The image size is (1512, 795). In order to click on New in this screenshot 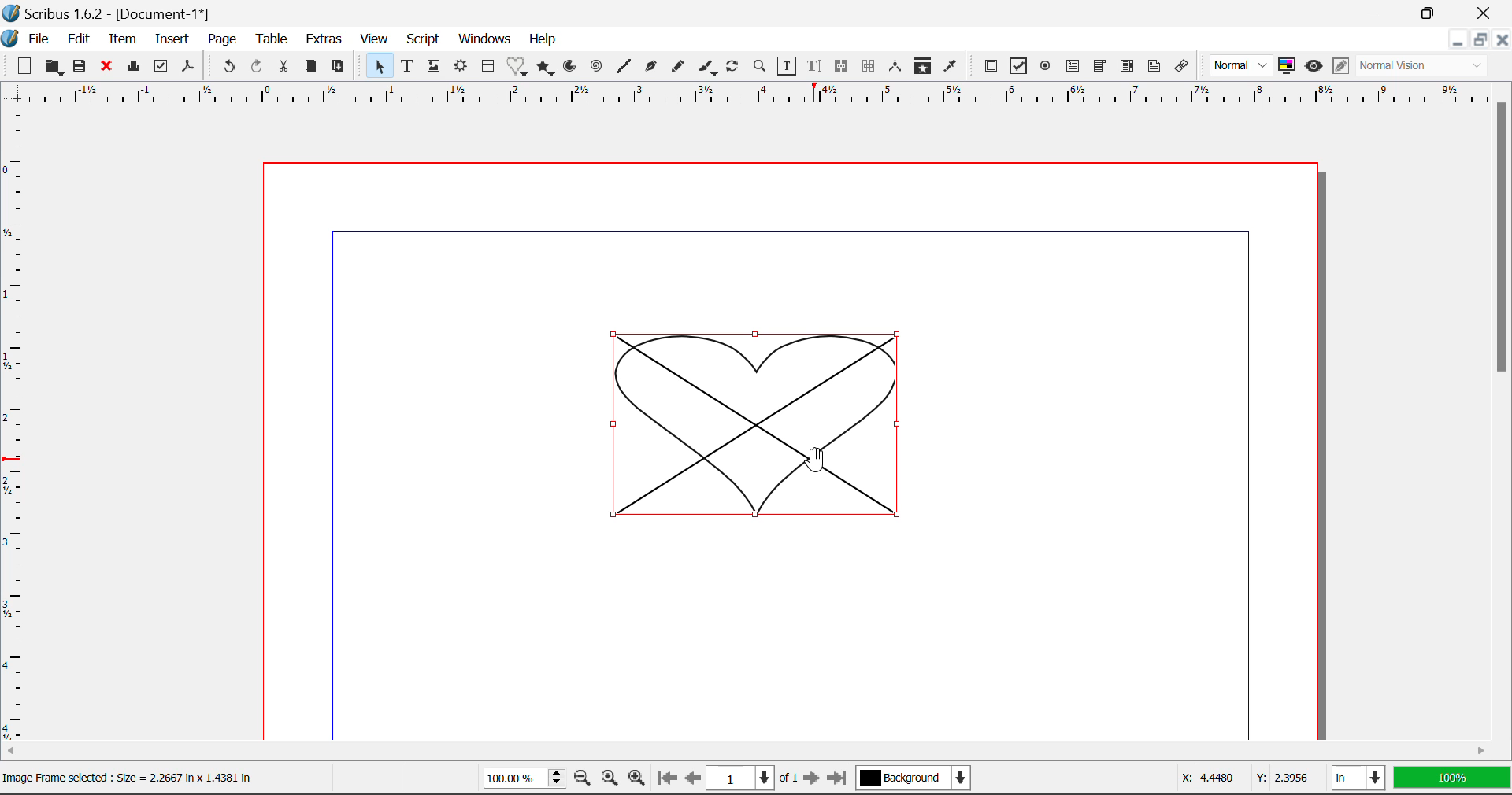, I will do `click(24, 68)`.